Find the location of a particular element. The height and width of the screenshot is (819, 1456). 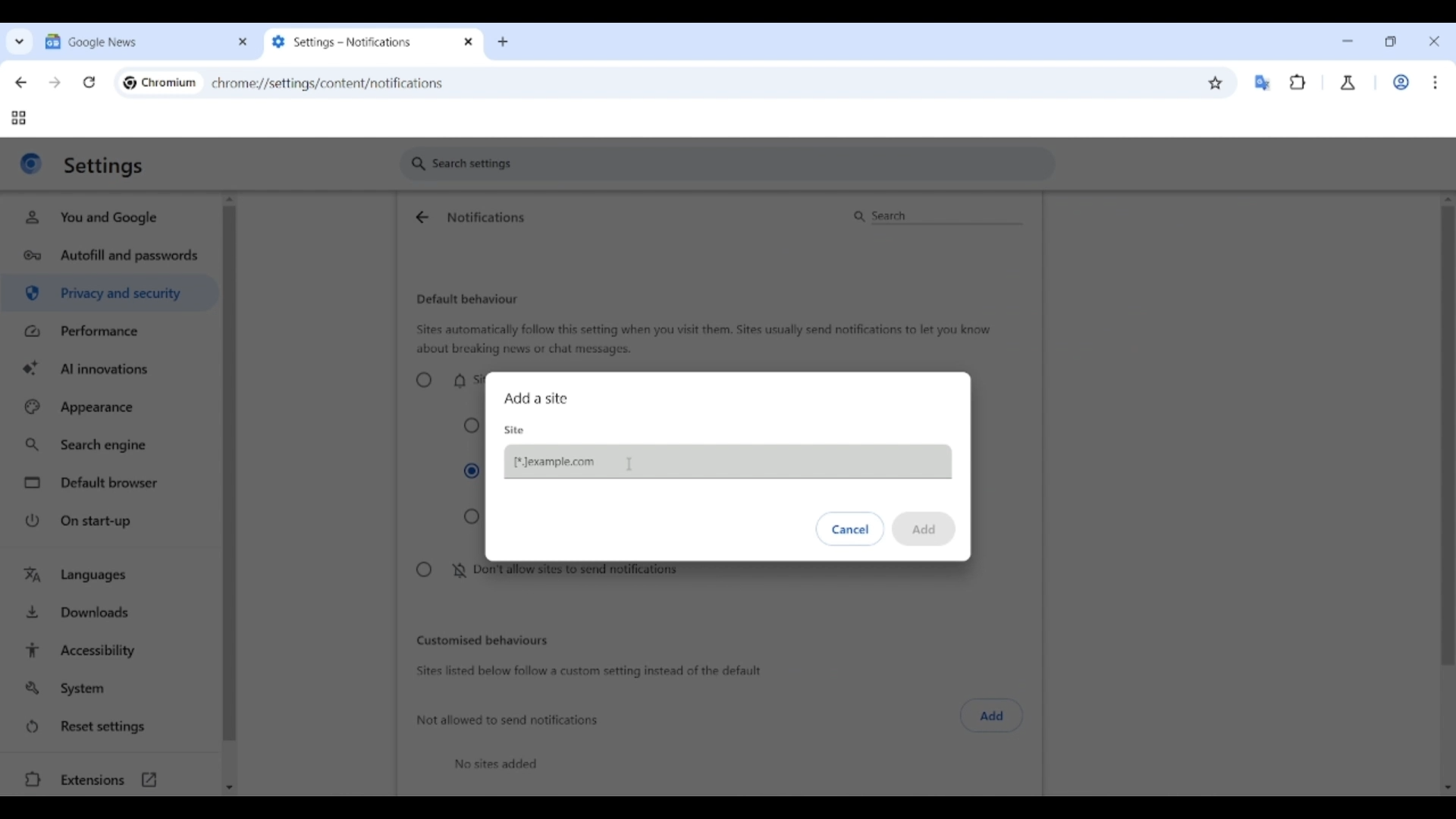

Settings is located at coordinates (105, 166).